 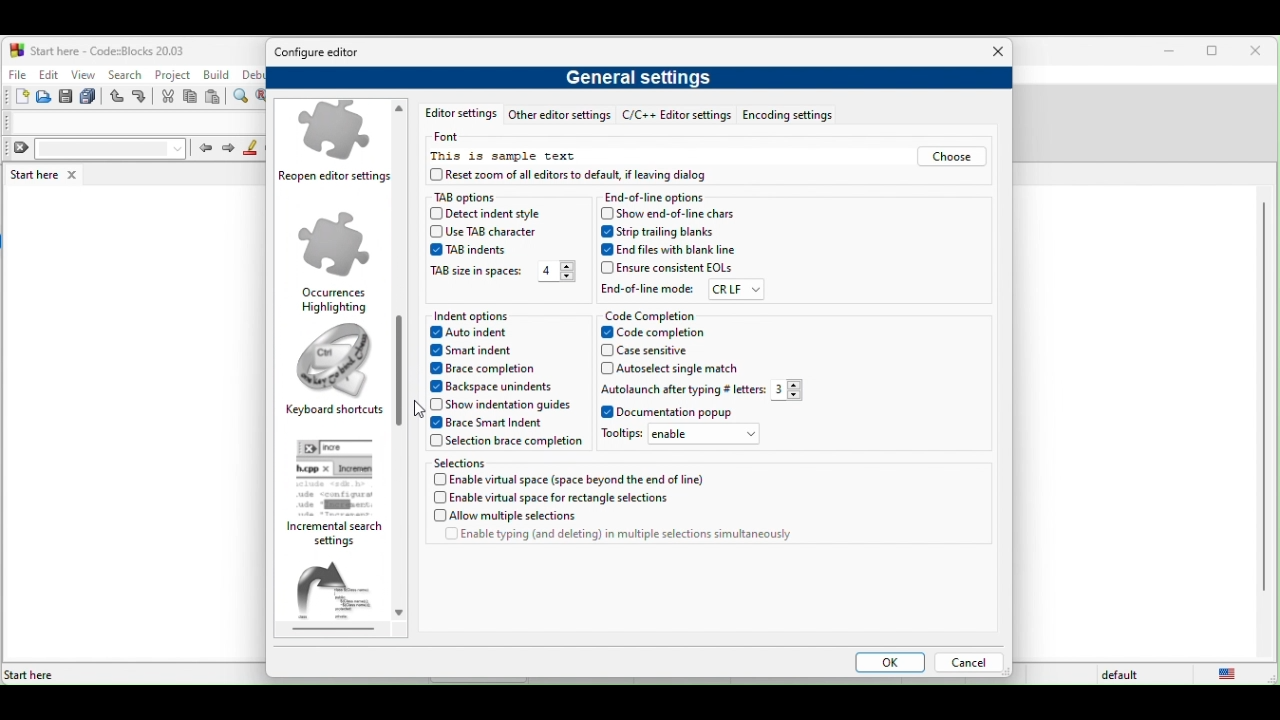 I want to click on enable typing (and deleting) in multiple selections simultaneously, so click(x=618, y=538).